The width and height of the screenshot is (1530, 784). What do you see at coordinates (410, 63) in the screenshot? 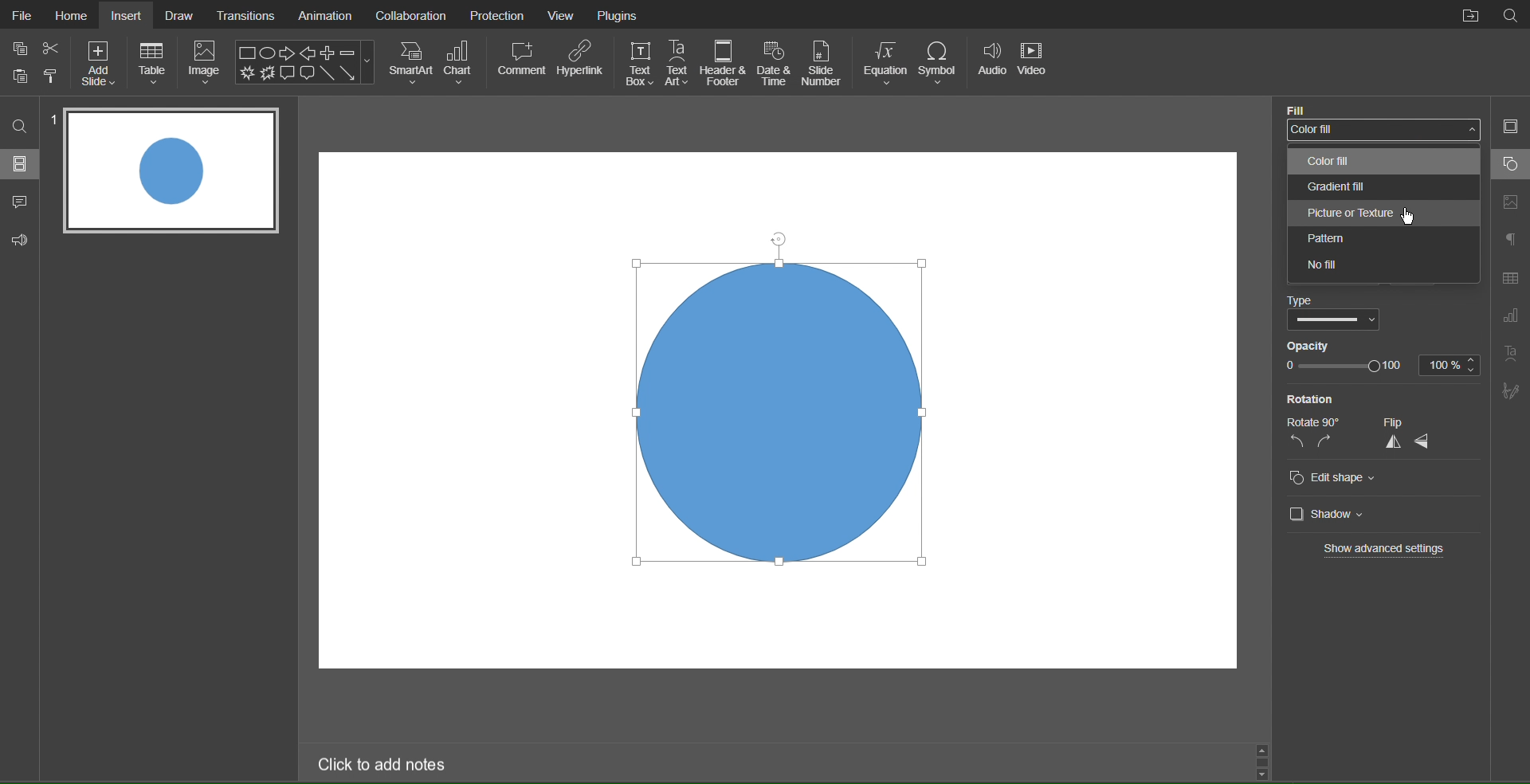
I see `SmartArt` at bounding box center [410, 63].